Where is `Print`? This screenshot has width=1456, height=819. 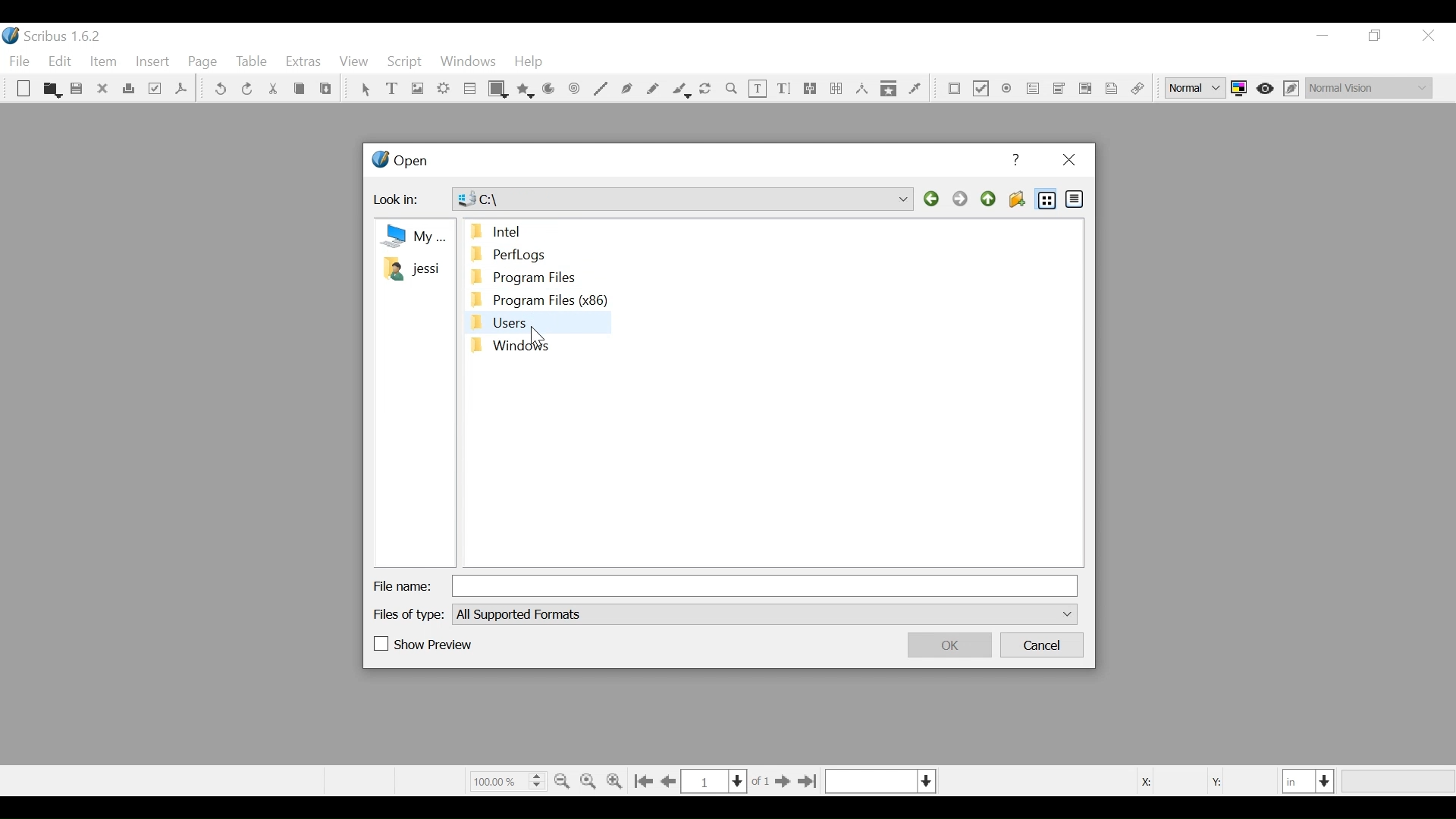
Print is located at coordinates (129, 89).